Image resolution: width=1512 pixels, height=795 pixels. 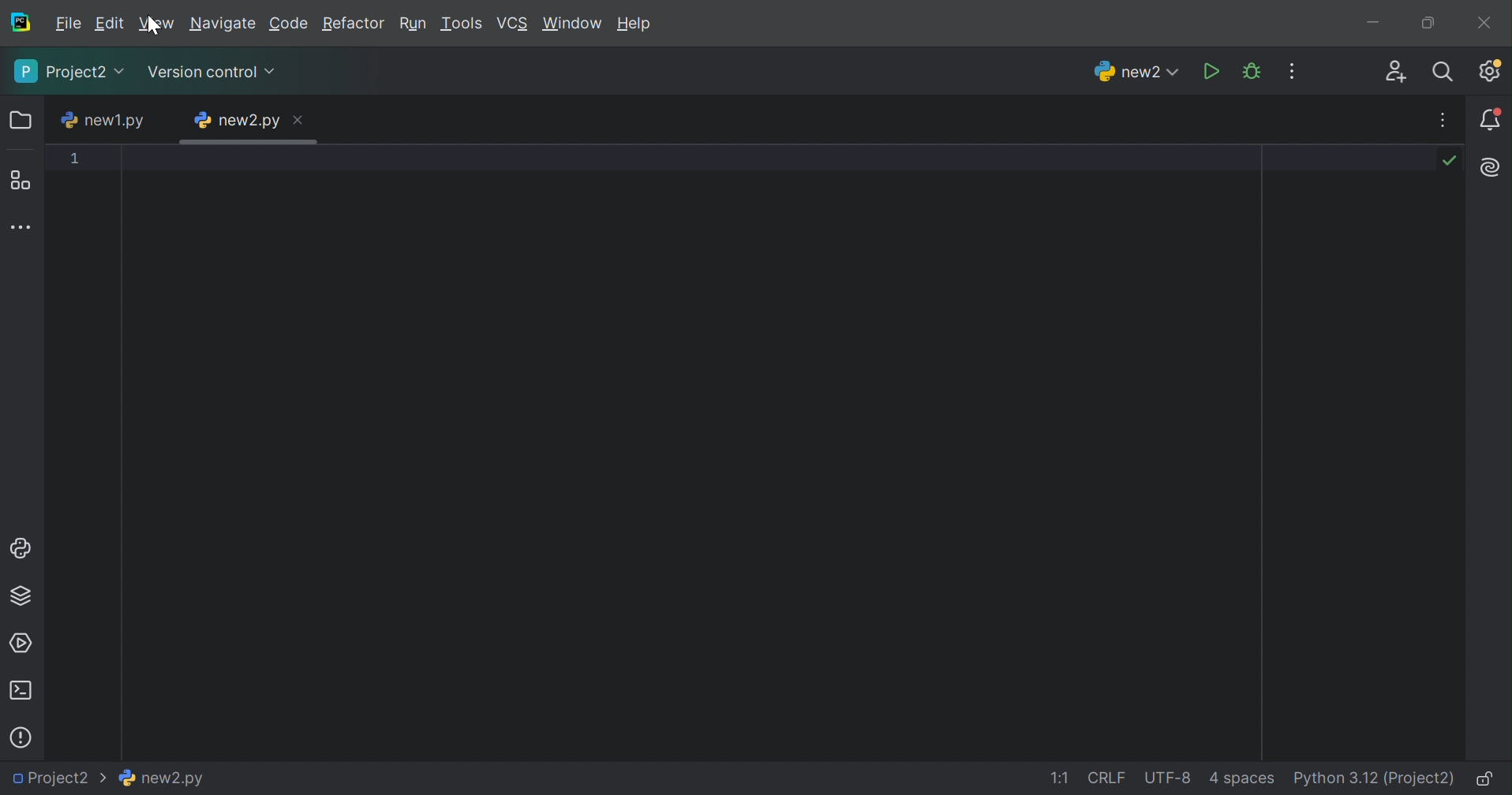 I want to click on new2.py, so click(x=163, y=775).